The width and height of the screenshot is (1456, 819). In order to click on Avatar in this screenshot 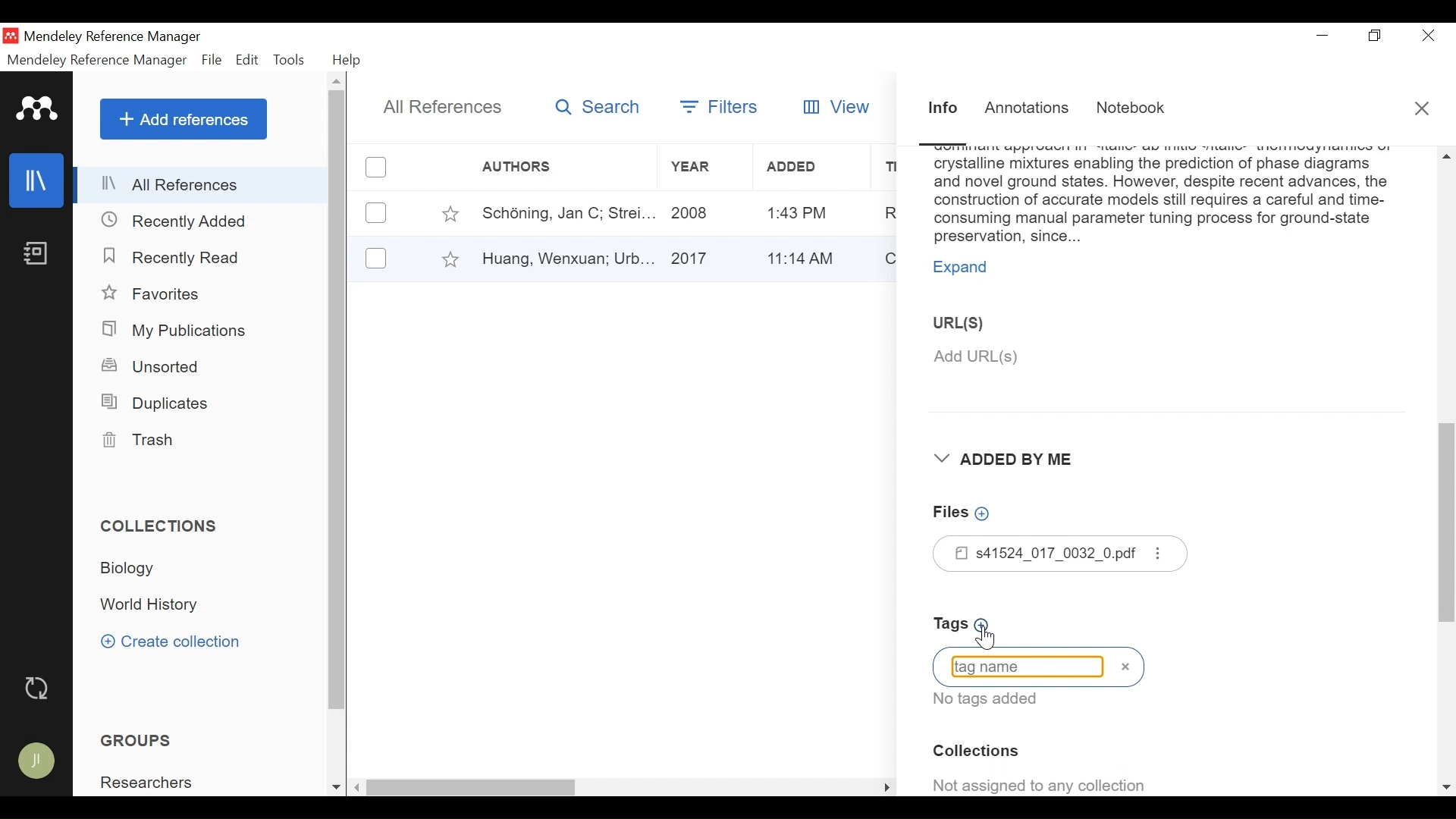, I will do `click(37, 761)`.